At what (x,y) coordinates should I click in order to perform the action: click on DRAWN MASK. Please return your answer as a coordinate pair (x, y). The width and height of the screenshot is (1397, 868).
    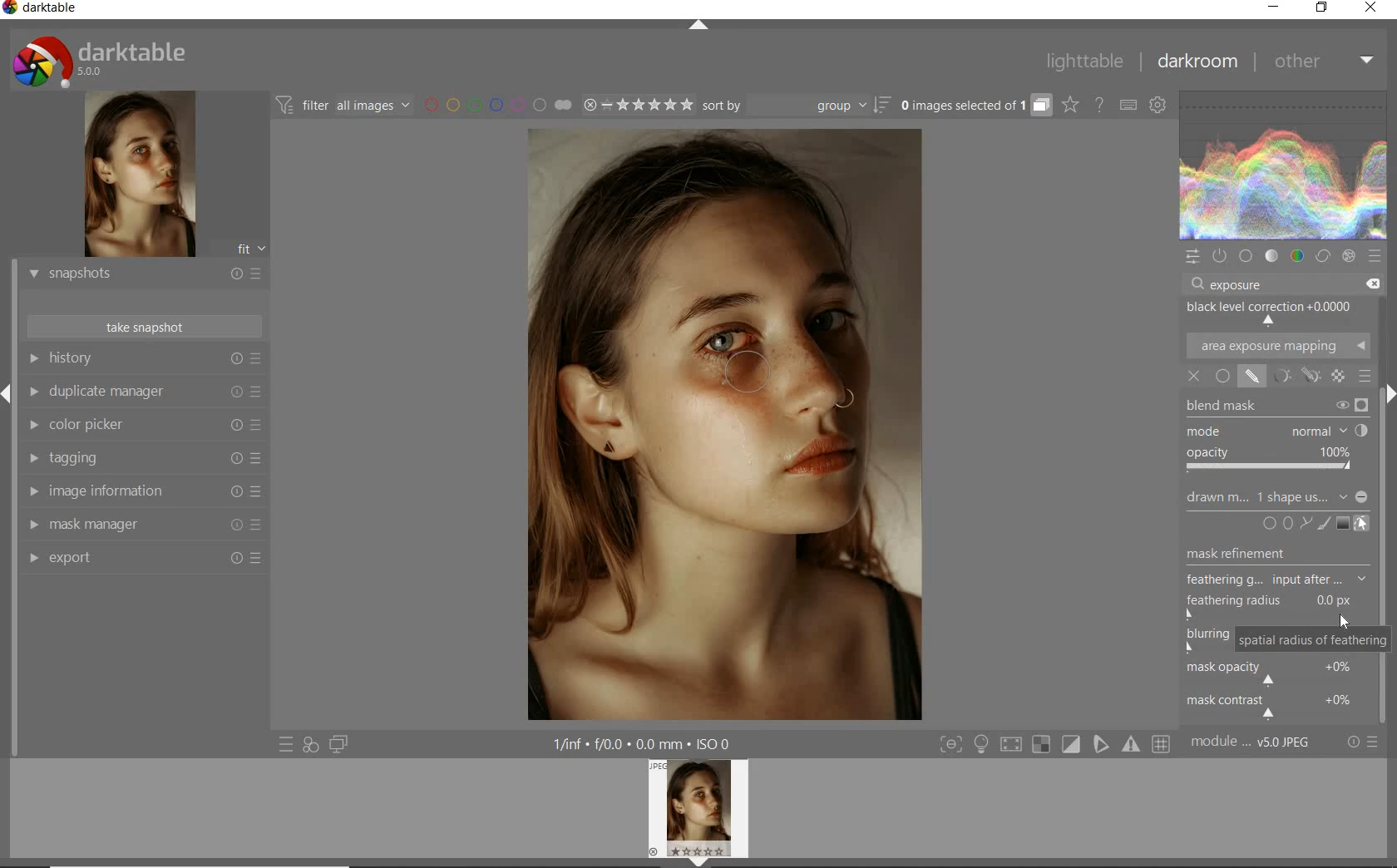
    Looking at the image, I should click on (1277, 496).